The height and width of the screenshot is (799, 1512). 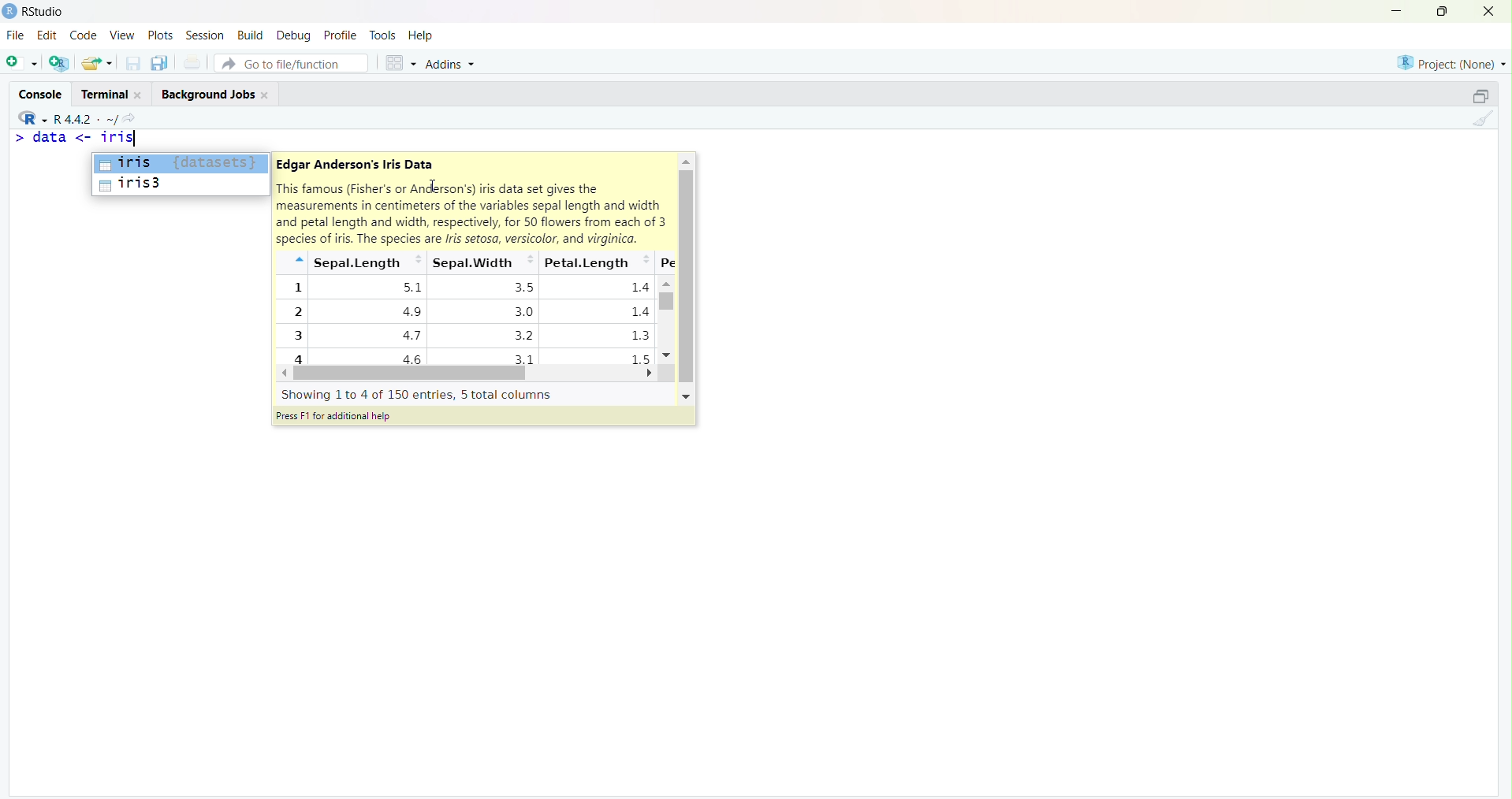 I want to click on Up, so click(x=687, y=161).